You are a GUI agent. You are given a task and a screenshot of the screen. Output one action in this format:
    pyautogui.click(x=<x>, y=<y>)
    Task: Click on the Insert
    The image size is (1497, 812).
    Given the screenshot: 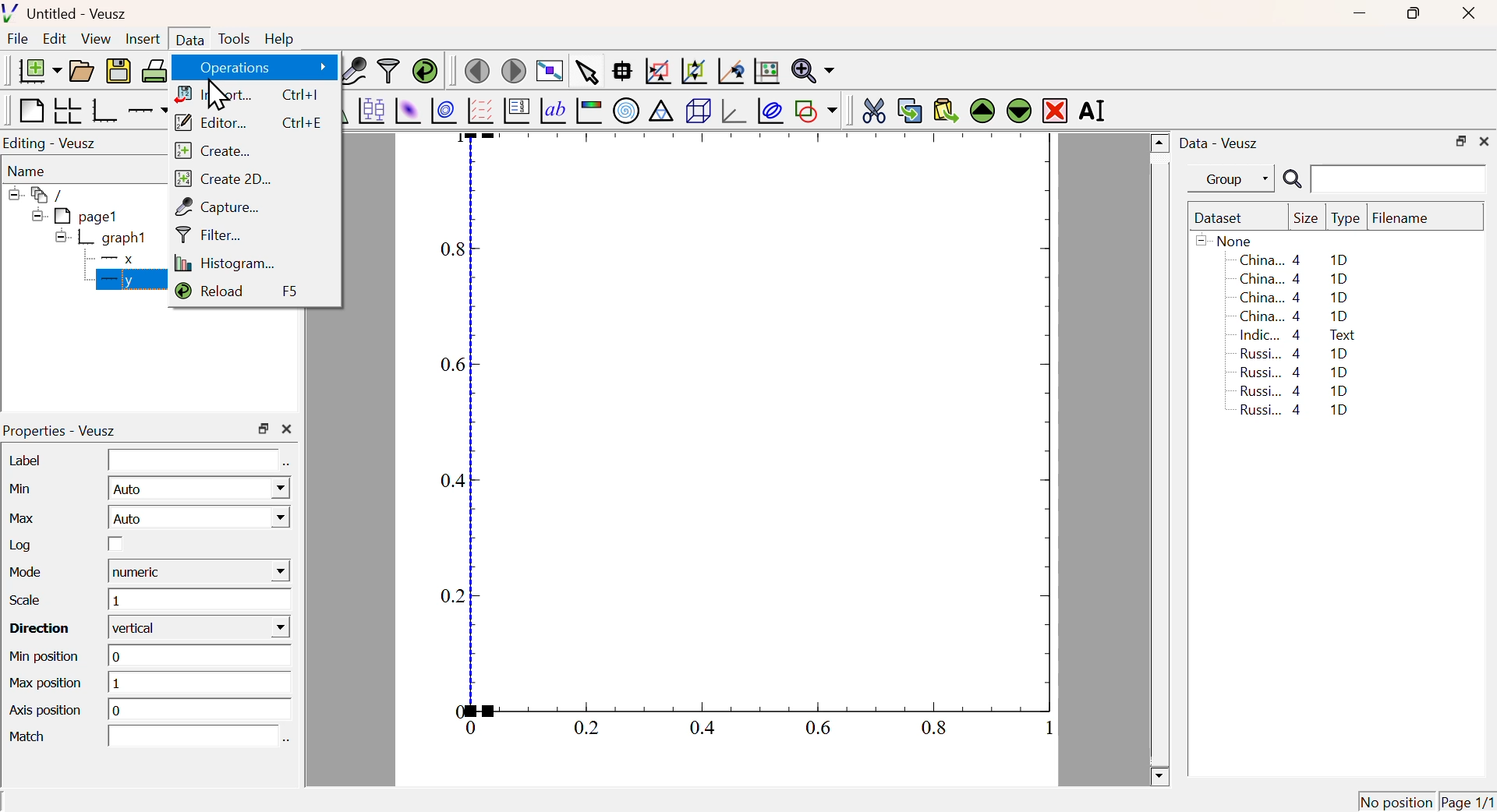 What is the action you would take?
    pyautogui.click(x=141, y=40)
    